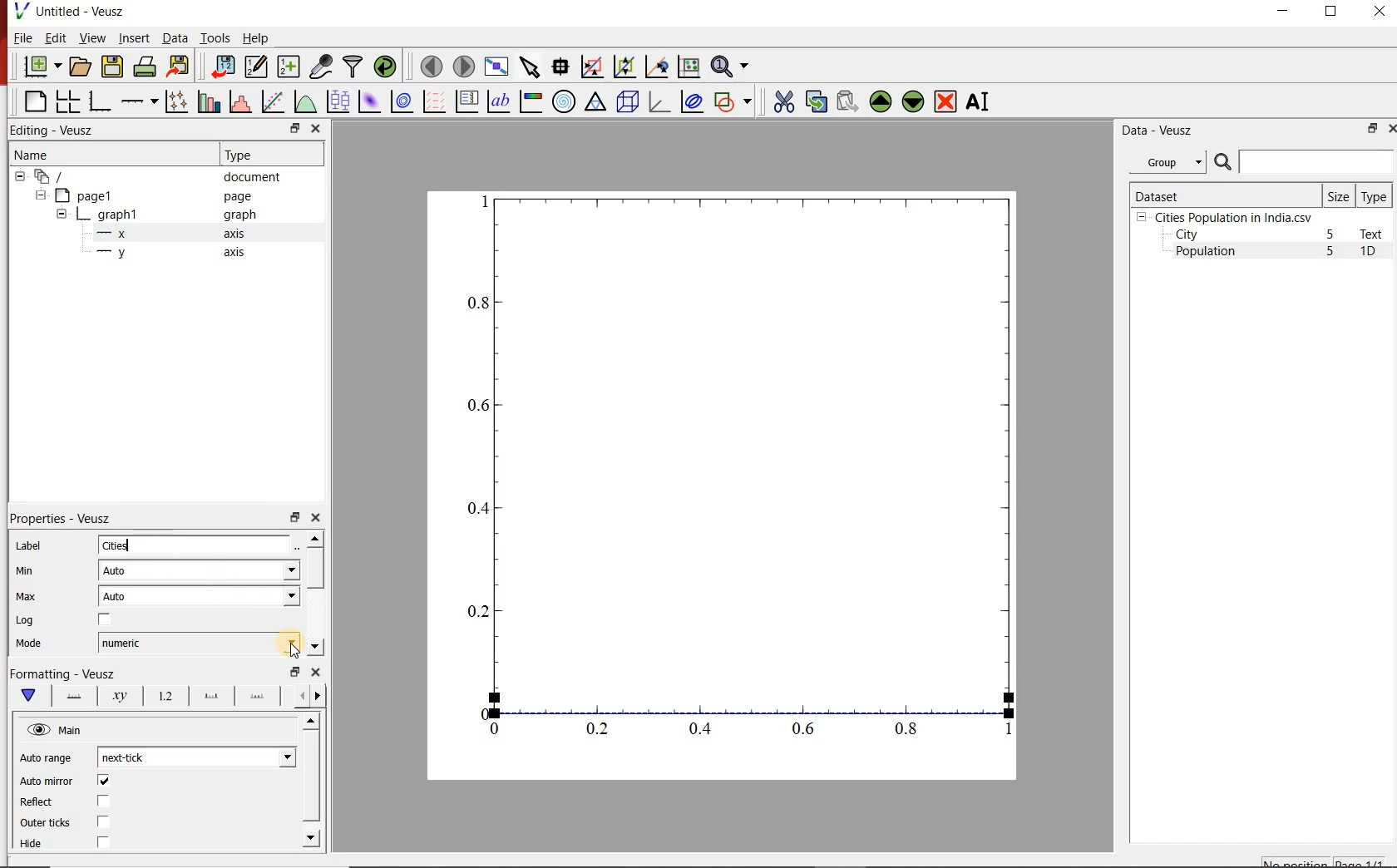  I want to click on export to graphics format, so click(179, 67).